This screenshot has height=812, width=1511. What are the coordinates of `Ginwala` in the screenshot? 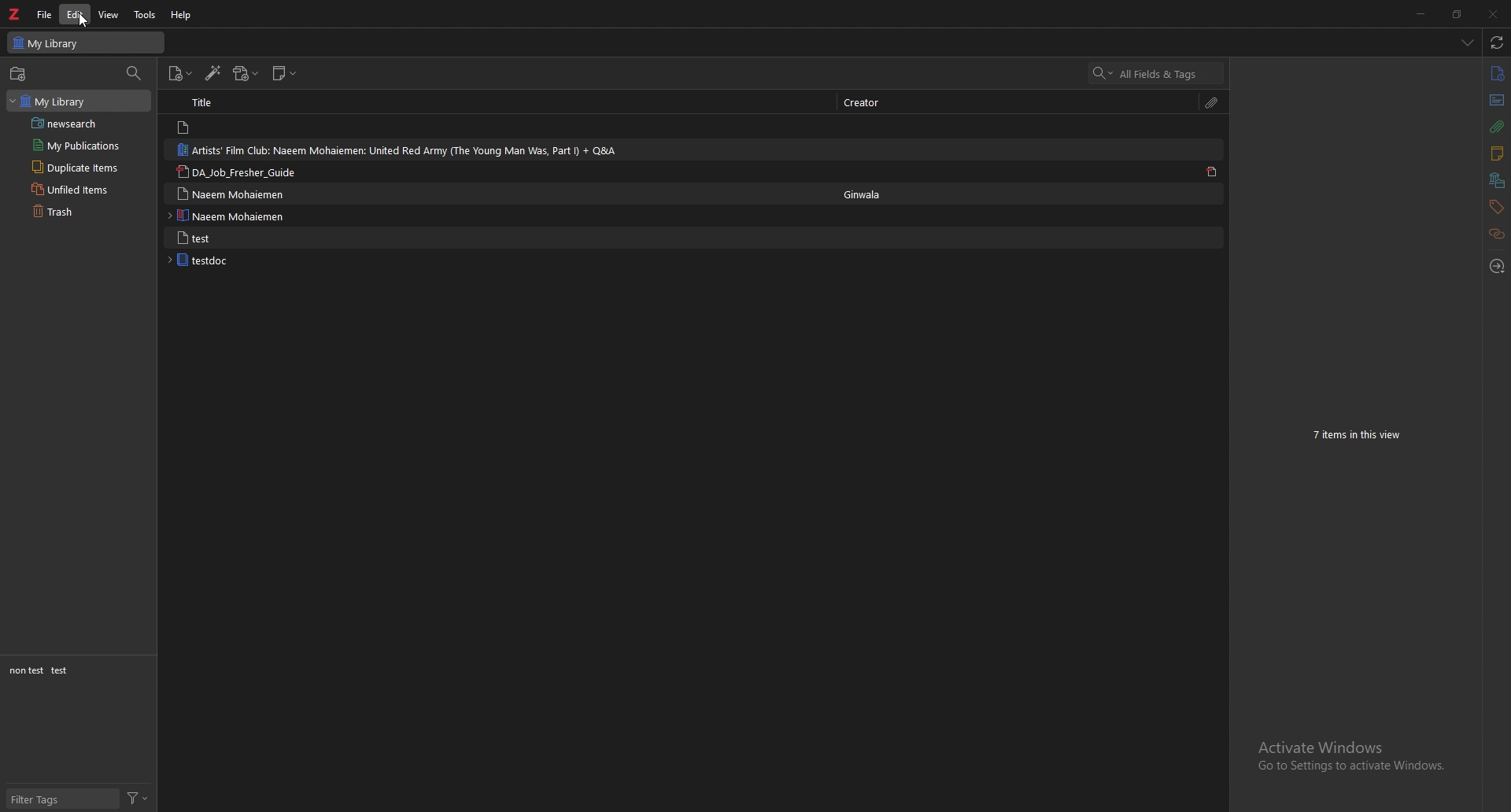 It's located at (868, 195).